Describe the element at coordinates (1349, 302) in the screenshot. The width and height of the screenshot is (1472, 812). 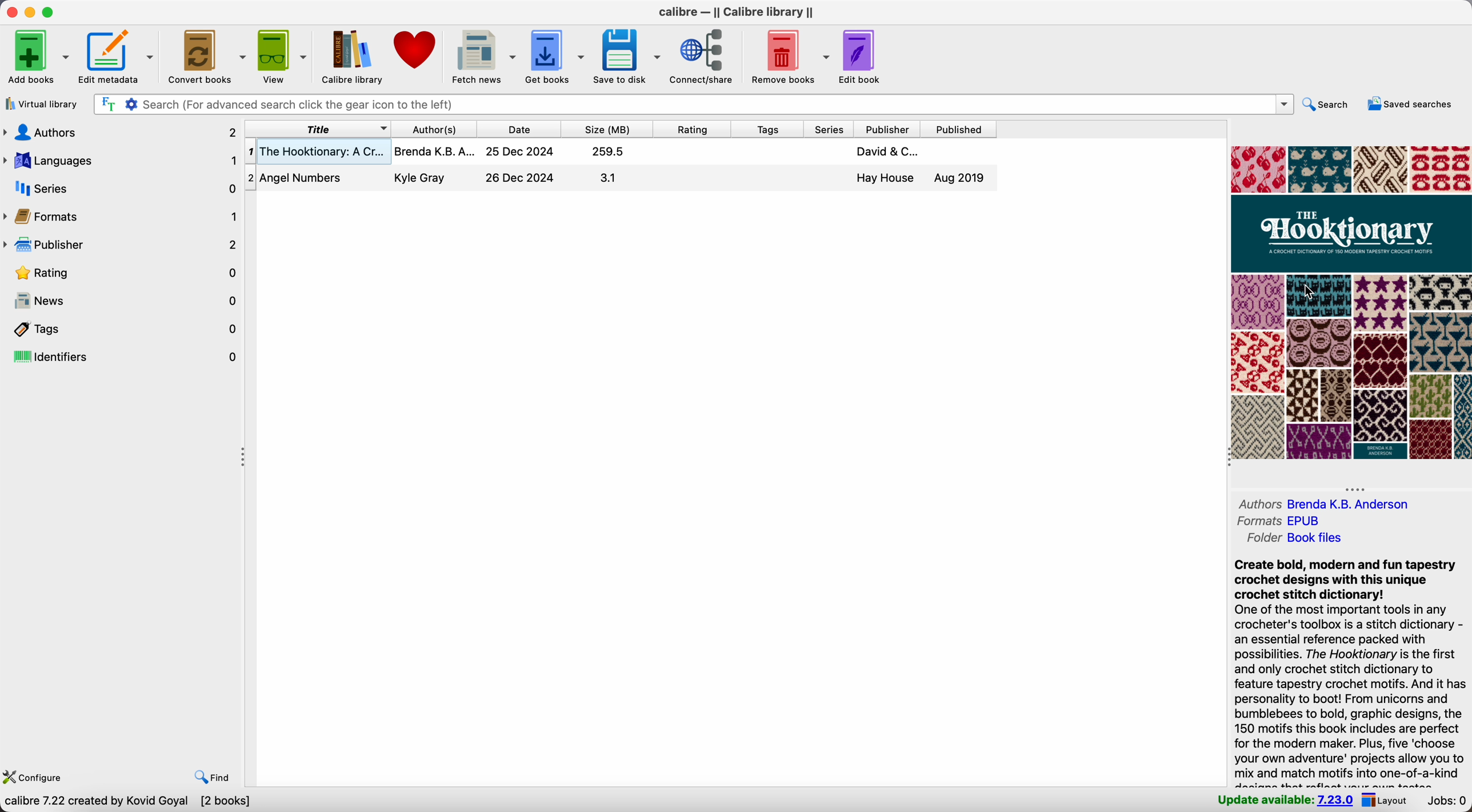
I see `book cover preview` at that location.